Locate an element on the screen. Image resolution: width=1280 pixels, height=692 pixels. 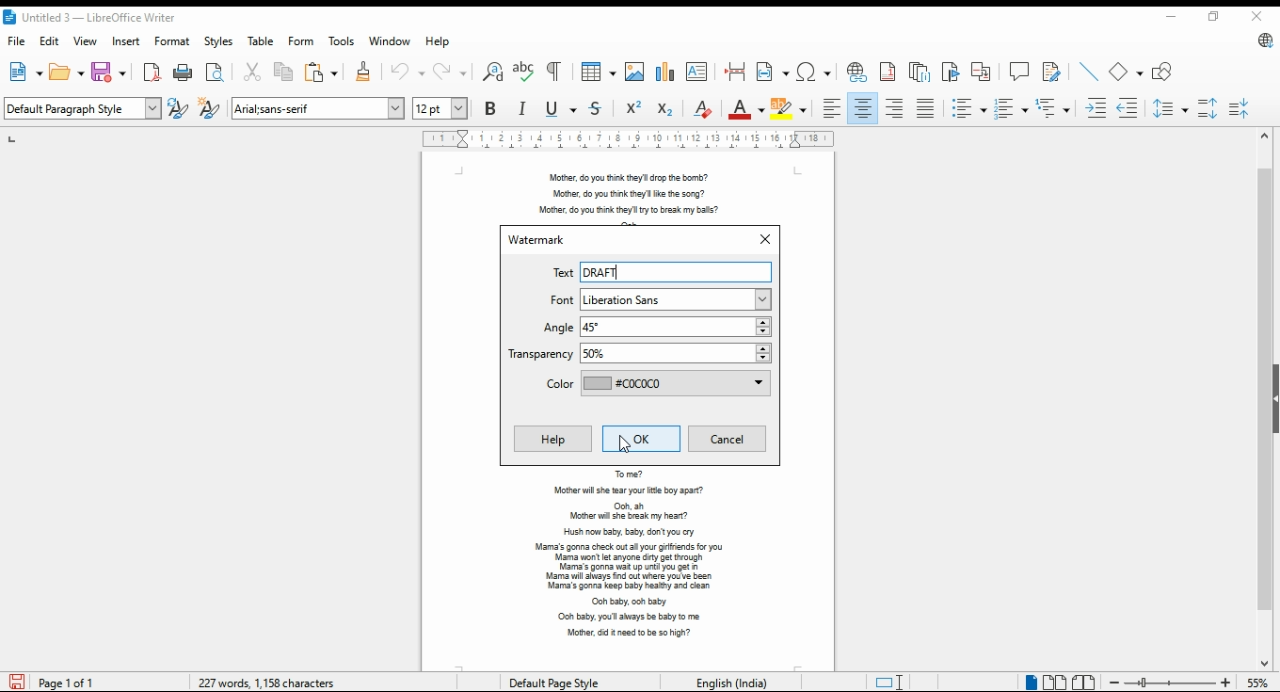
insert line is located at coordinates (1090, 72).